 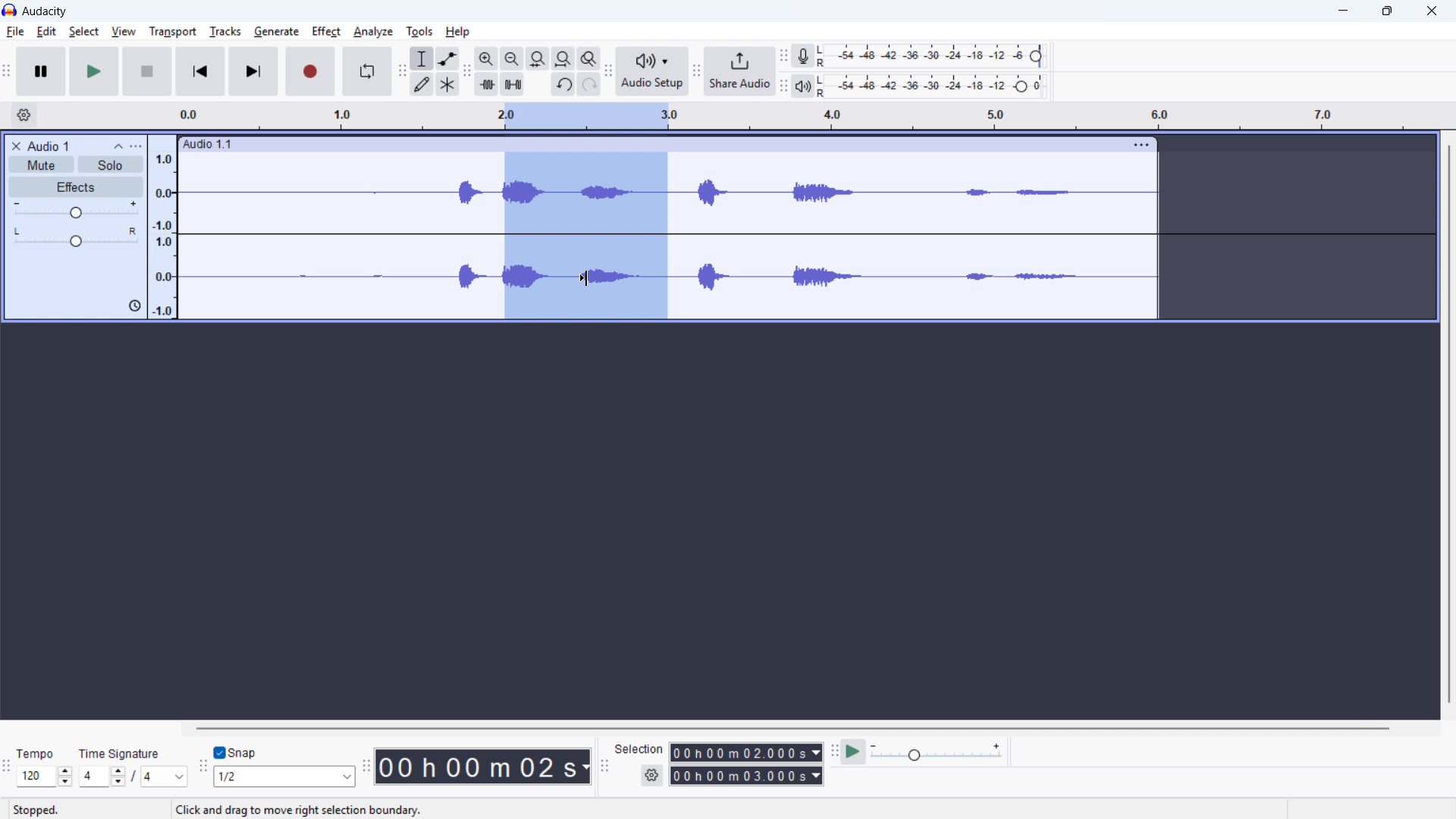 I want to click on Share audio, so click(x=740, y=72).